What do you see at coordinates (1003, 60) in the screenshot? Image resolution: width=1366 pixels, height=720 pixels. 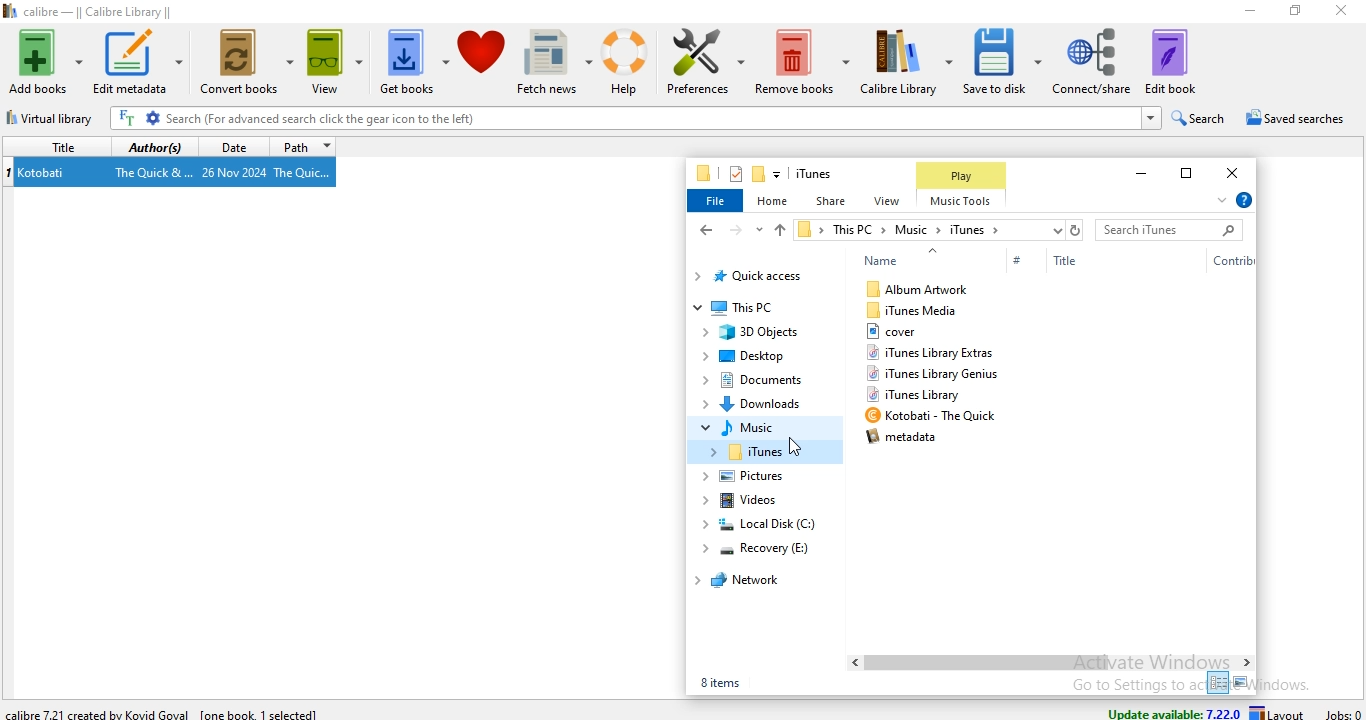 I see `save to disk` at bounding box center [1003, 60].